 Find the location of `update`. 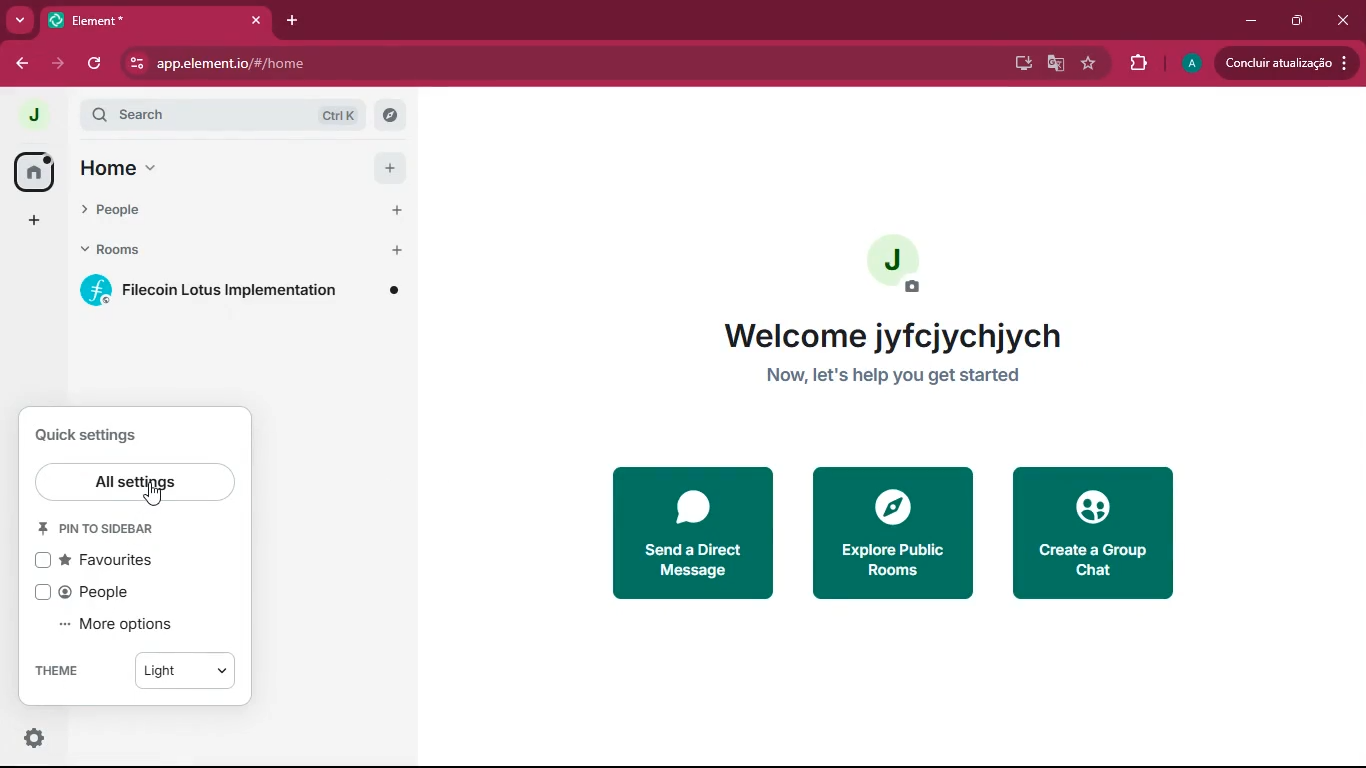

update is located at coordinates (1285, 62).